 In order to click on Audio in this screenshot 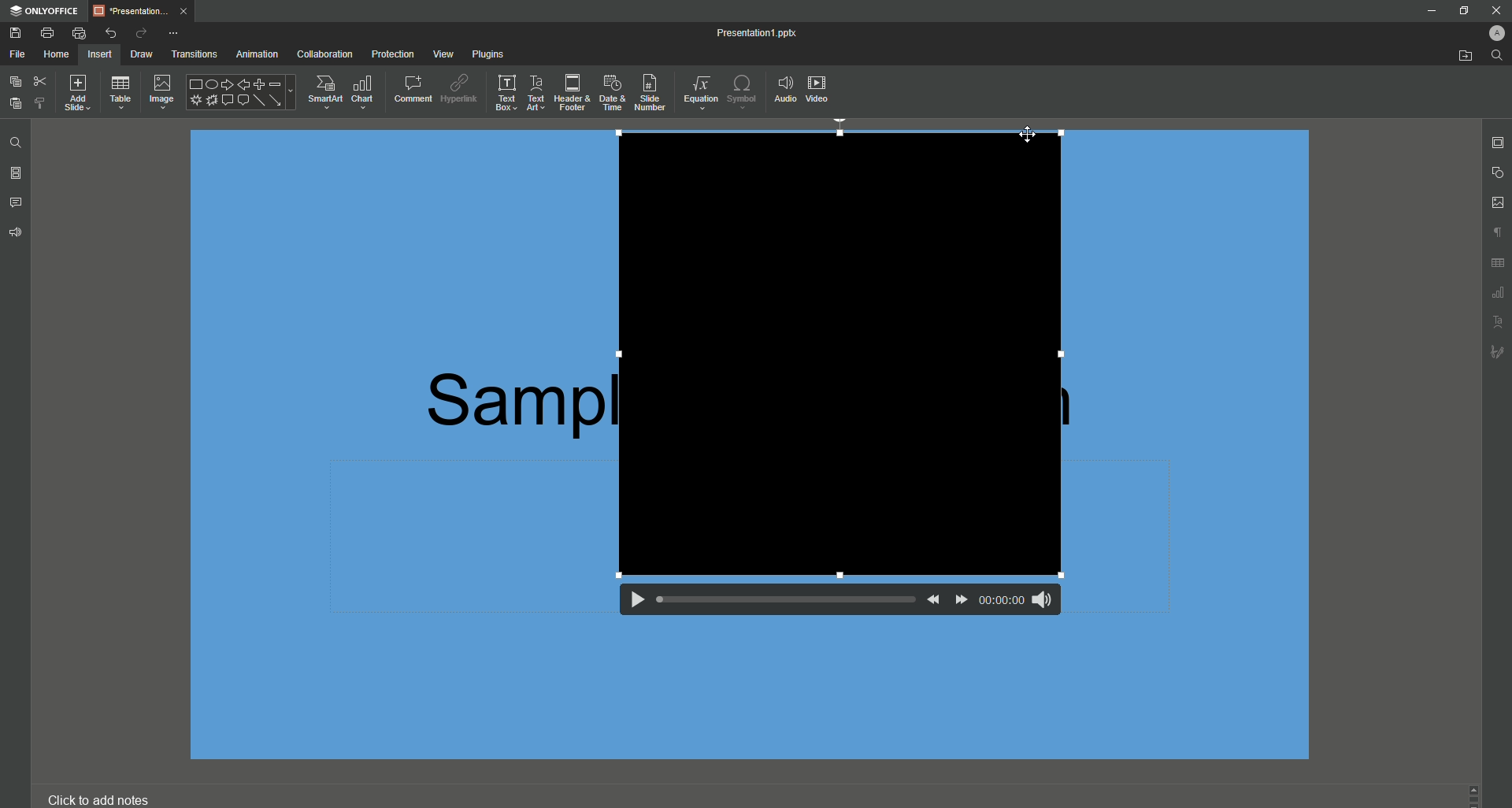, I will do `click(784, 88)`.